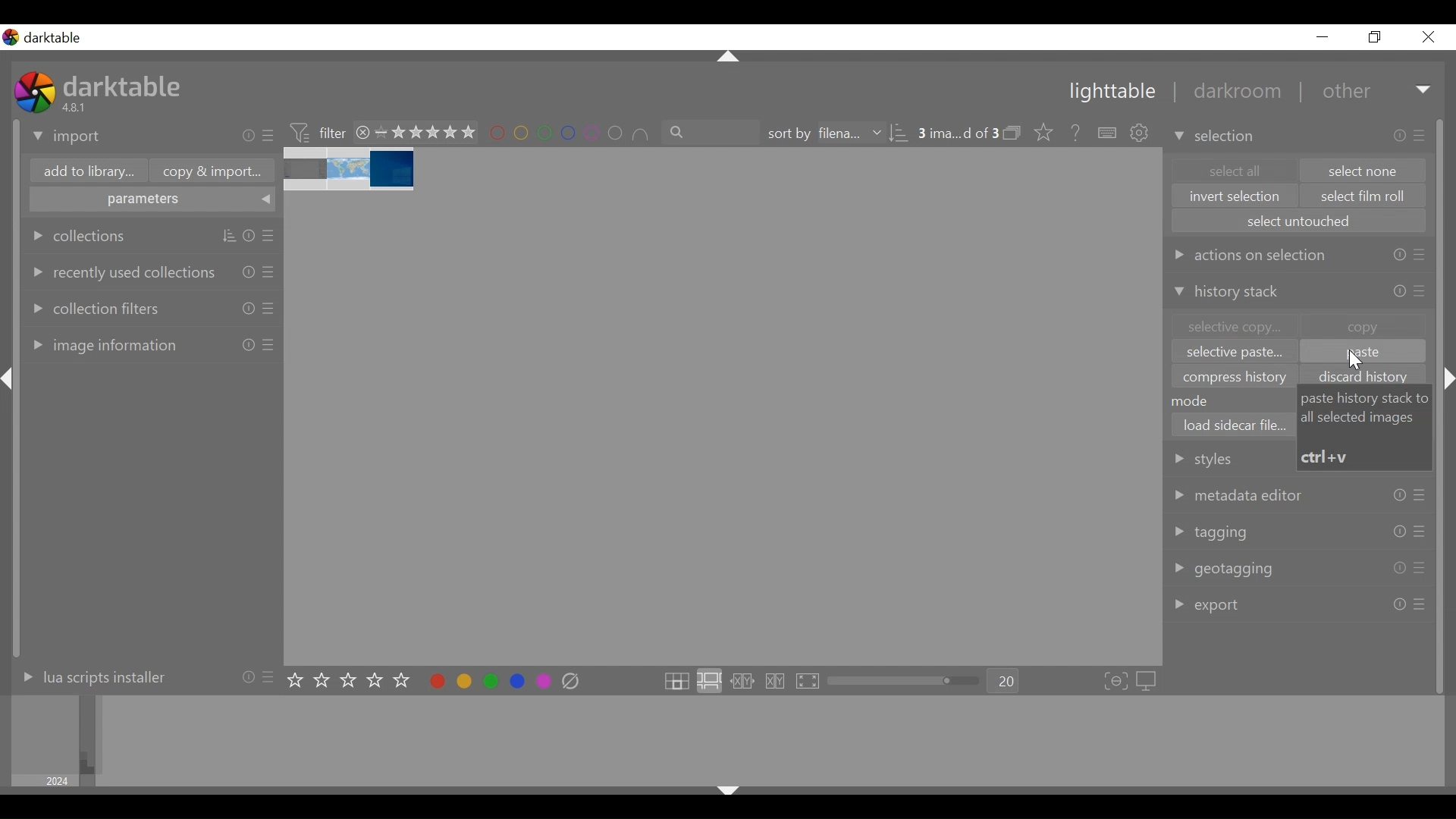  What do you see at coordinates (712, 133) in the screenshot?
I see `filter by text` at bounding box center [712, 133].